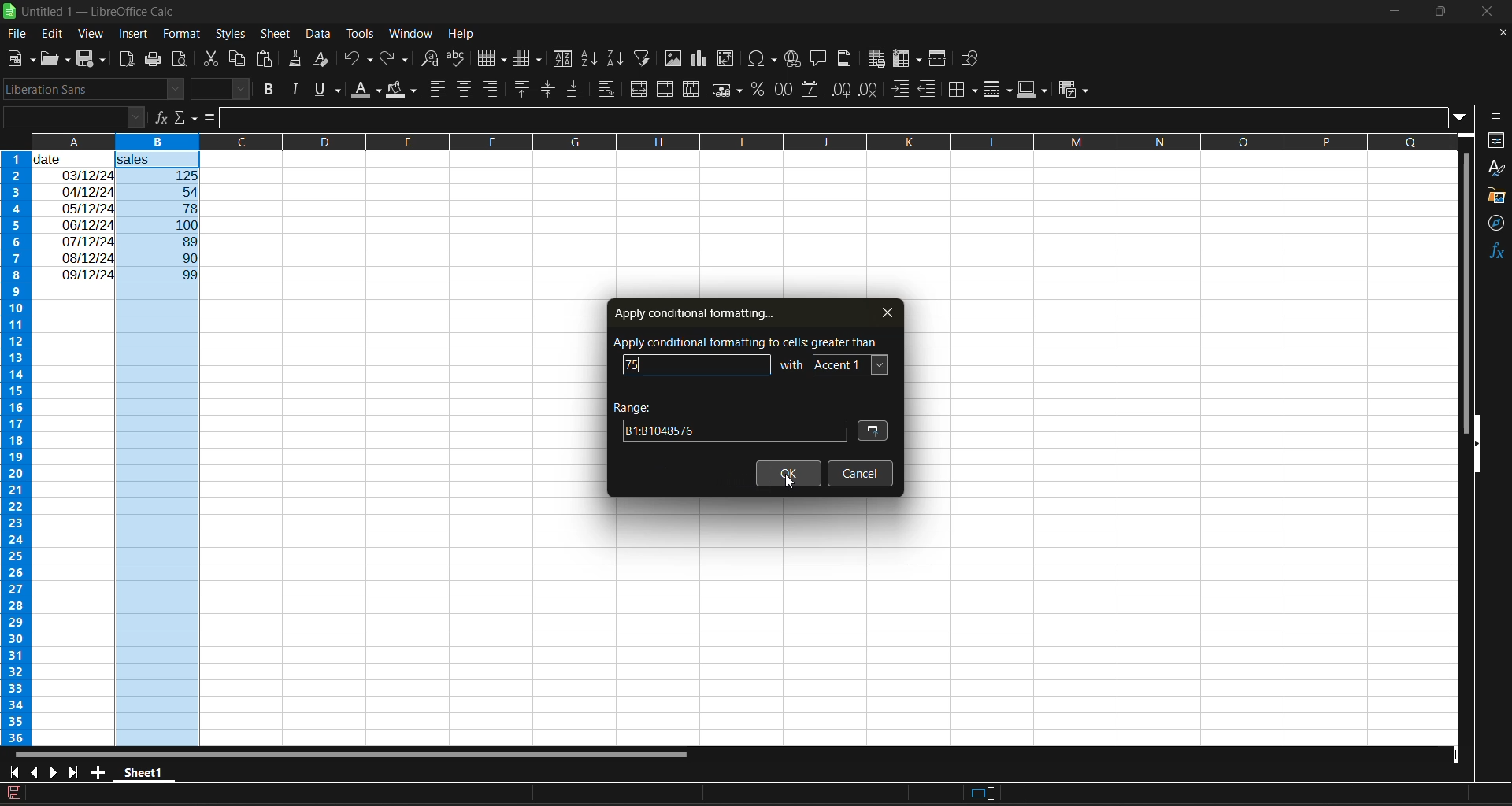 The image size is (1512, 806). I want to click on align center, so click(464, 91).